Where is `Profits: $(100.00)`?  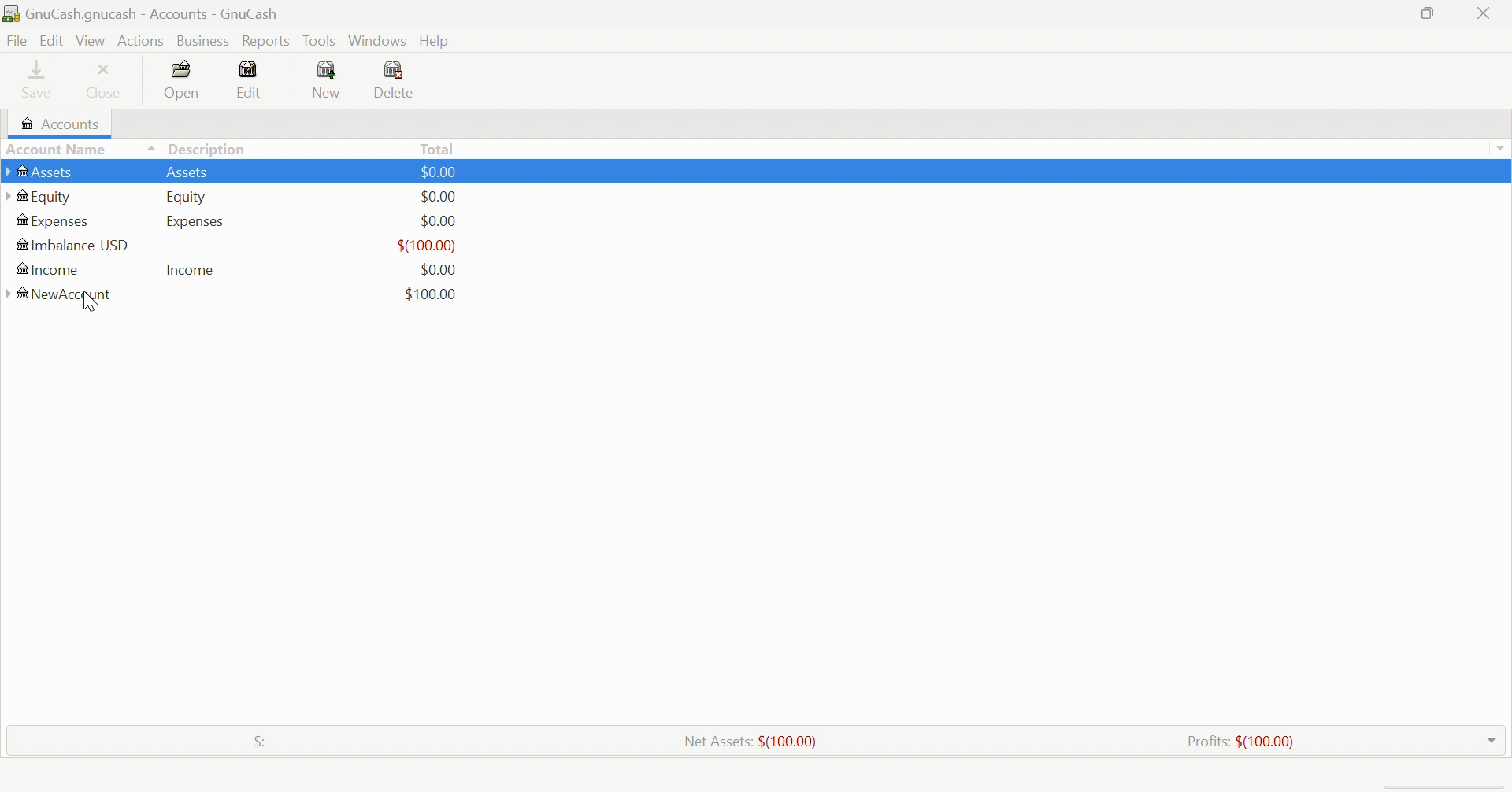
Profits: $(100.00) is located at coordinates (1243, 741).